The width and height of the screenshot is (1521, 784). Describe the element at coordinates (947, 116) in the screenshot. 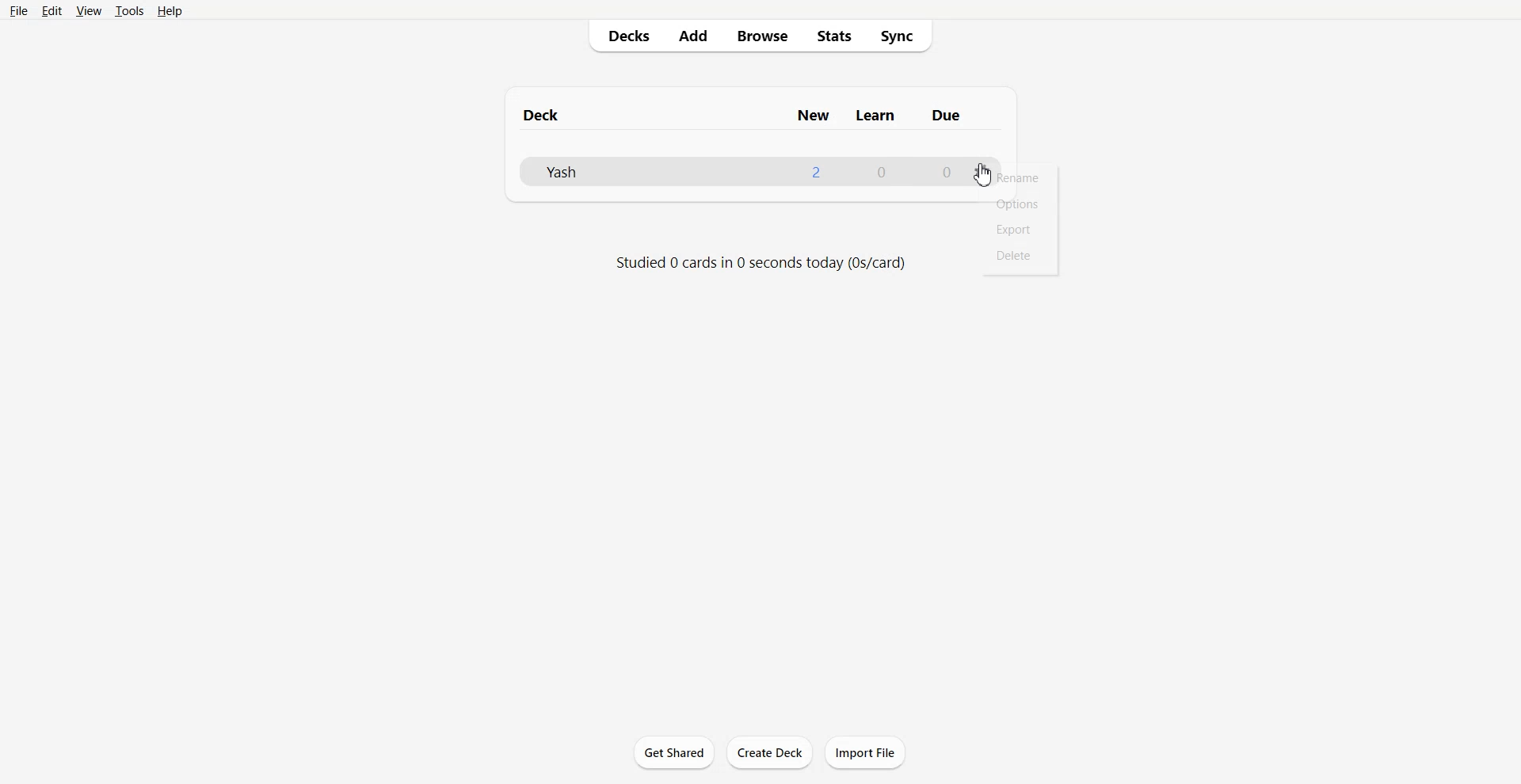

I see `due` at that location.